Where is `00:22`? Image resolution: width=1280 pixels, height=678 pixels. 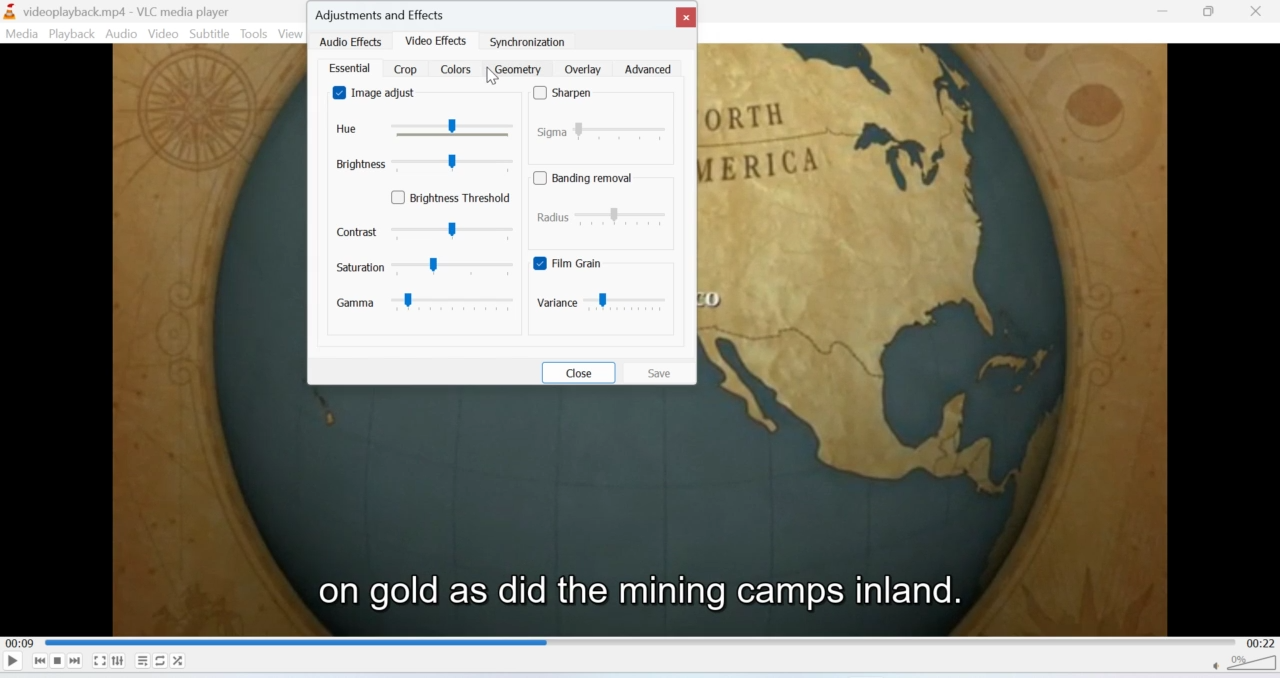 00:22 is located at coordinates (1263, 643).